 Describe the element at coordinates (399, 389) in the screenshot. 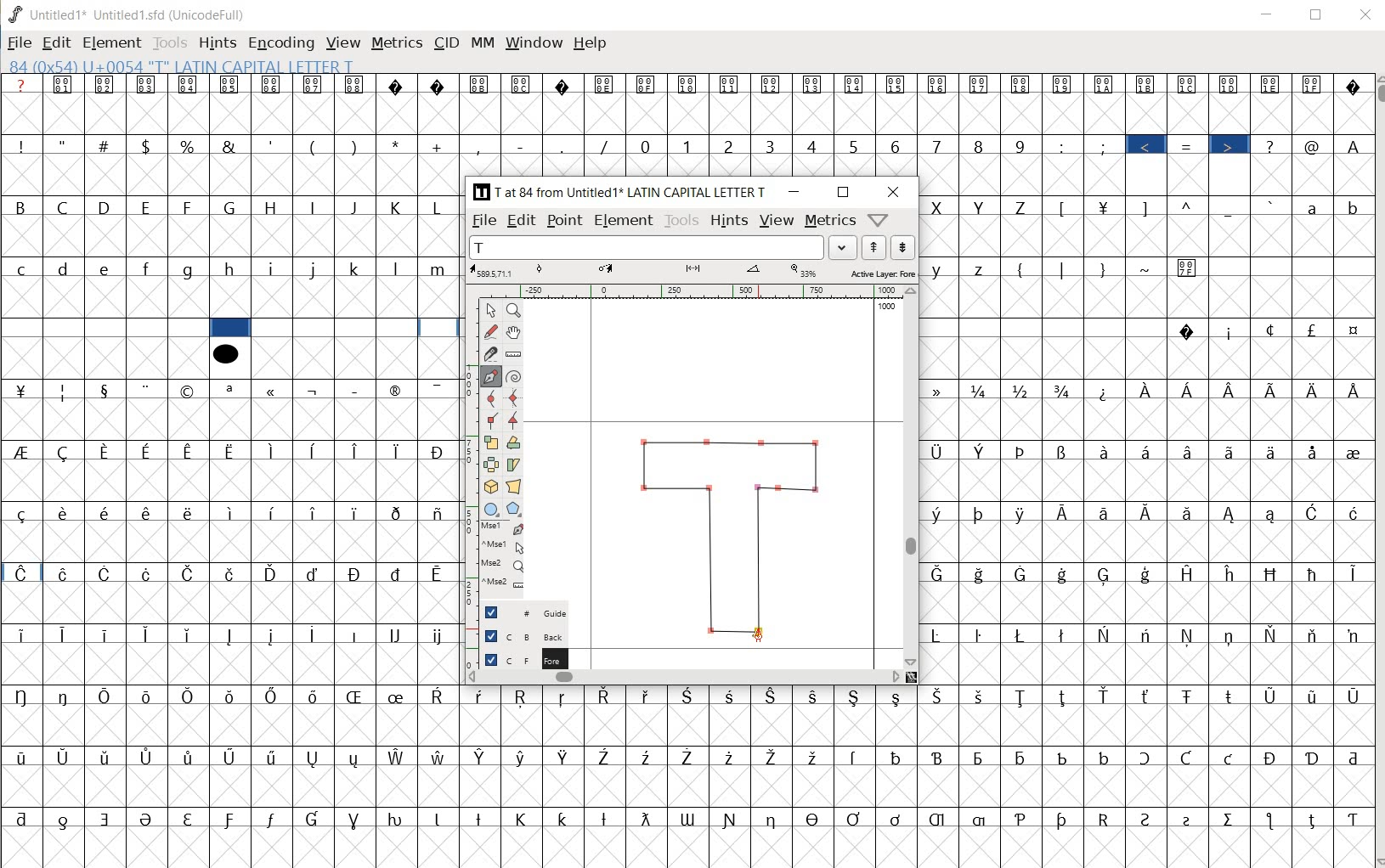

I see `Symbol` at that location.